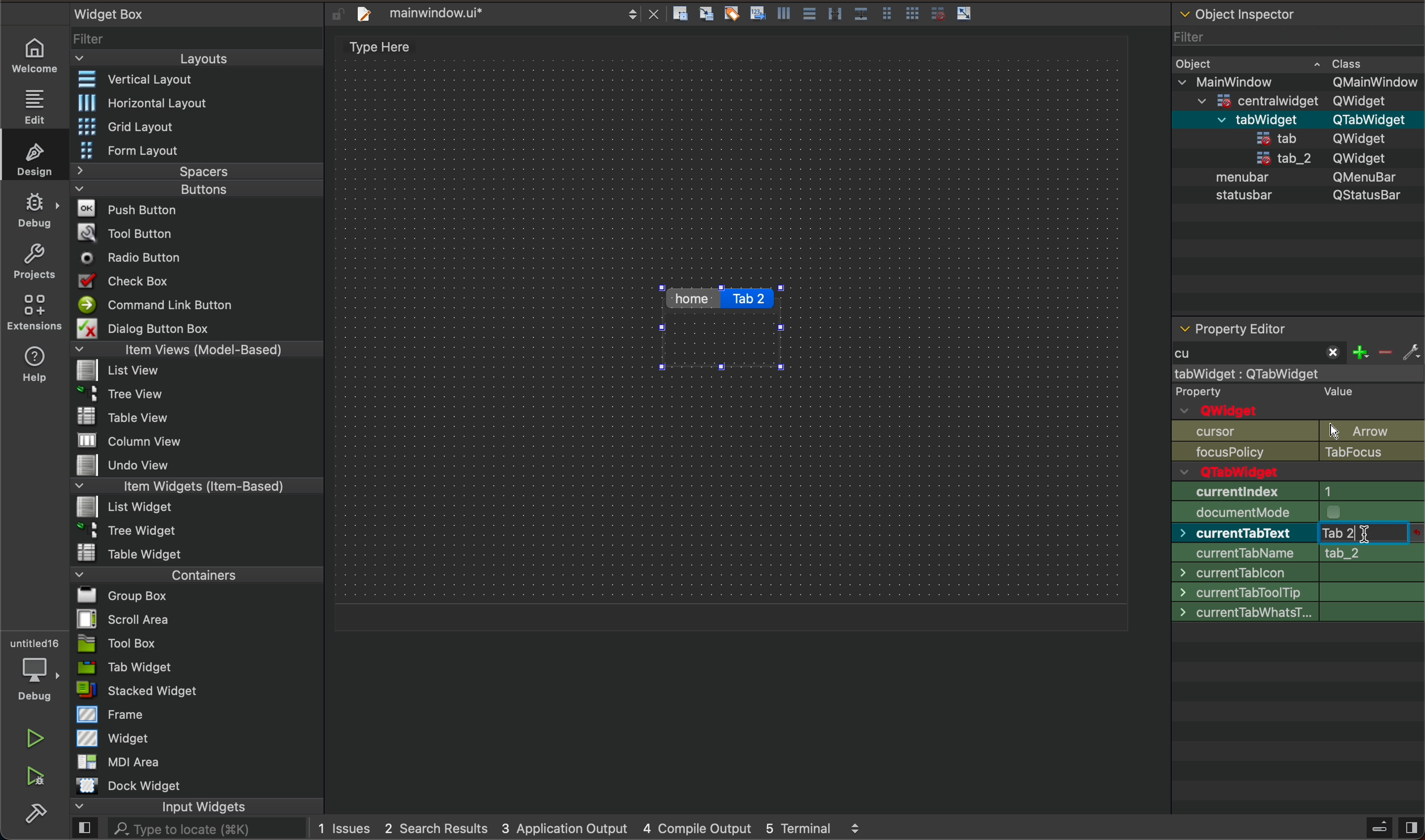 This screenshot has height=840, width=1425. I want to click on =centralwidaet OWidaet, so click(1294, 98).